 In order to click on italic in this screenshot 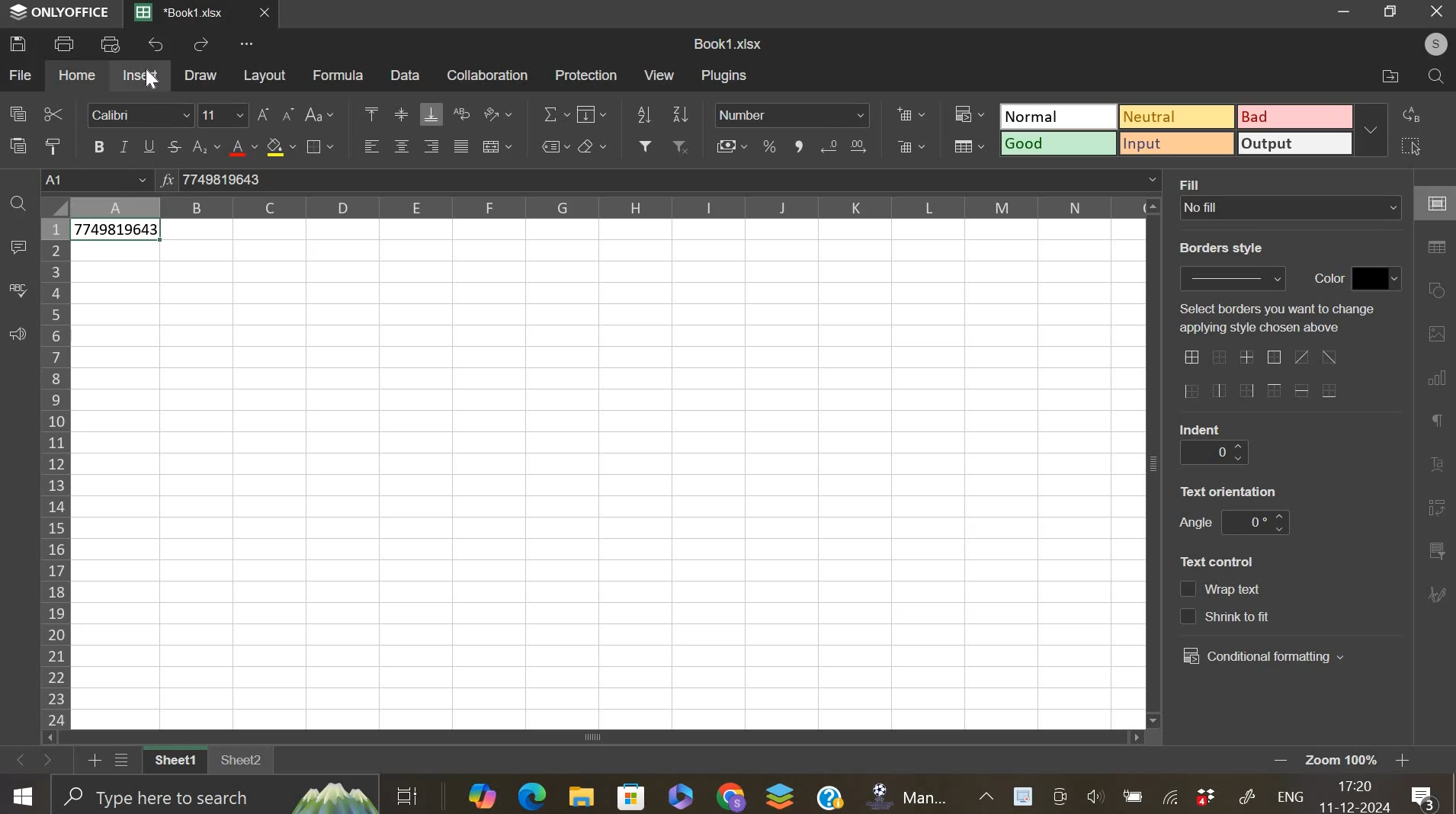, I will do `click(125, 146)`.